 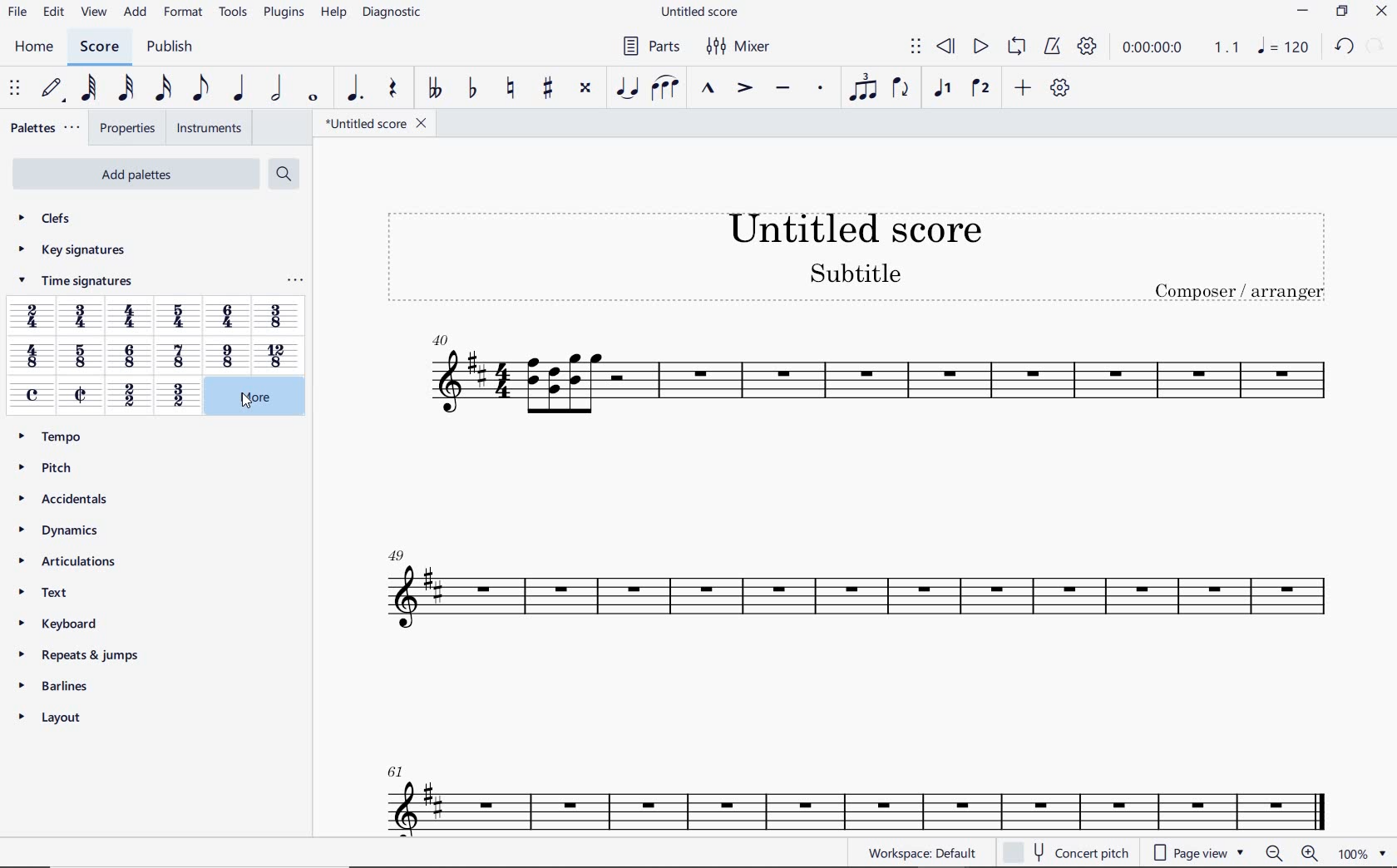 I want to click on FLIP DIRECTION, so click(x=901, y=89).